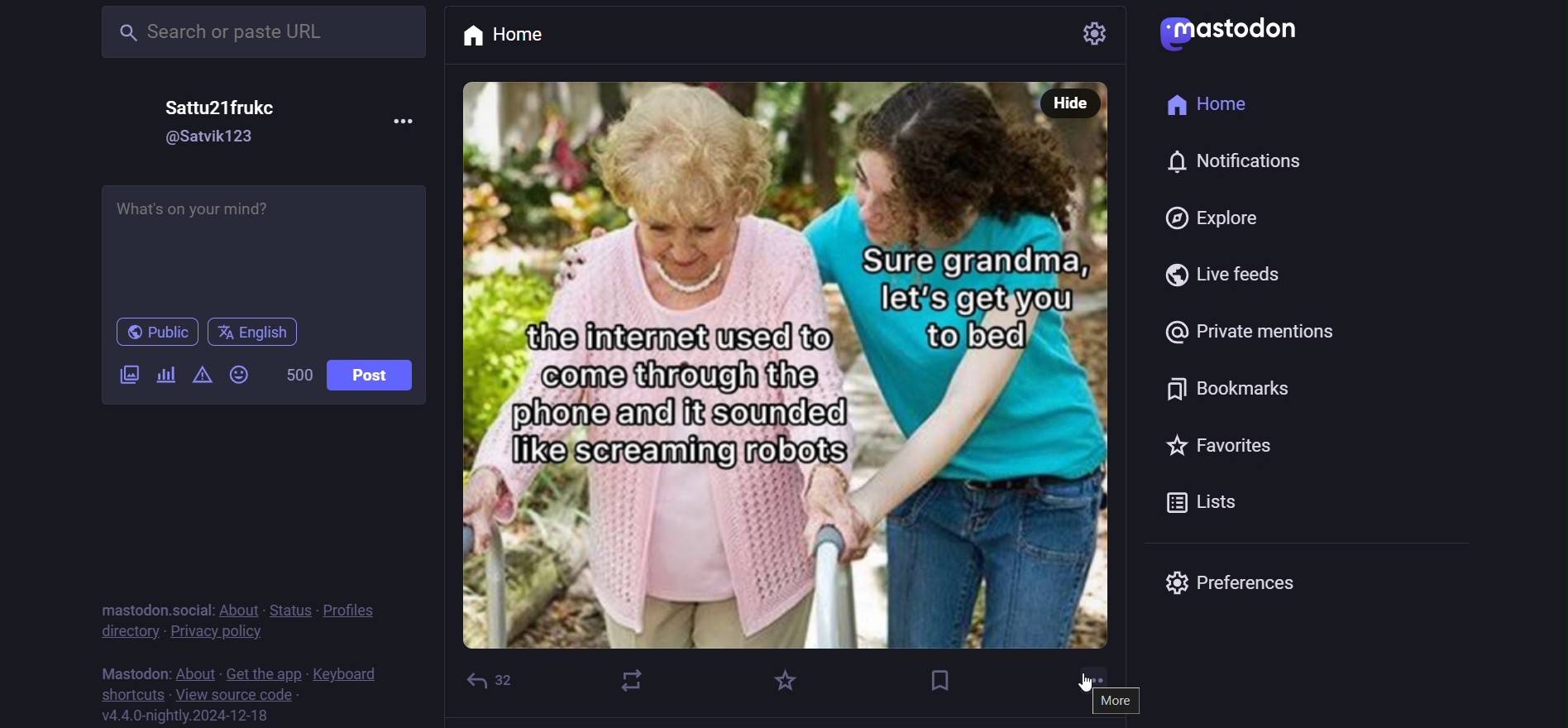 The width and height of the screenshot is (1568, 728). I want to click on image, so click(790, 384).